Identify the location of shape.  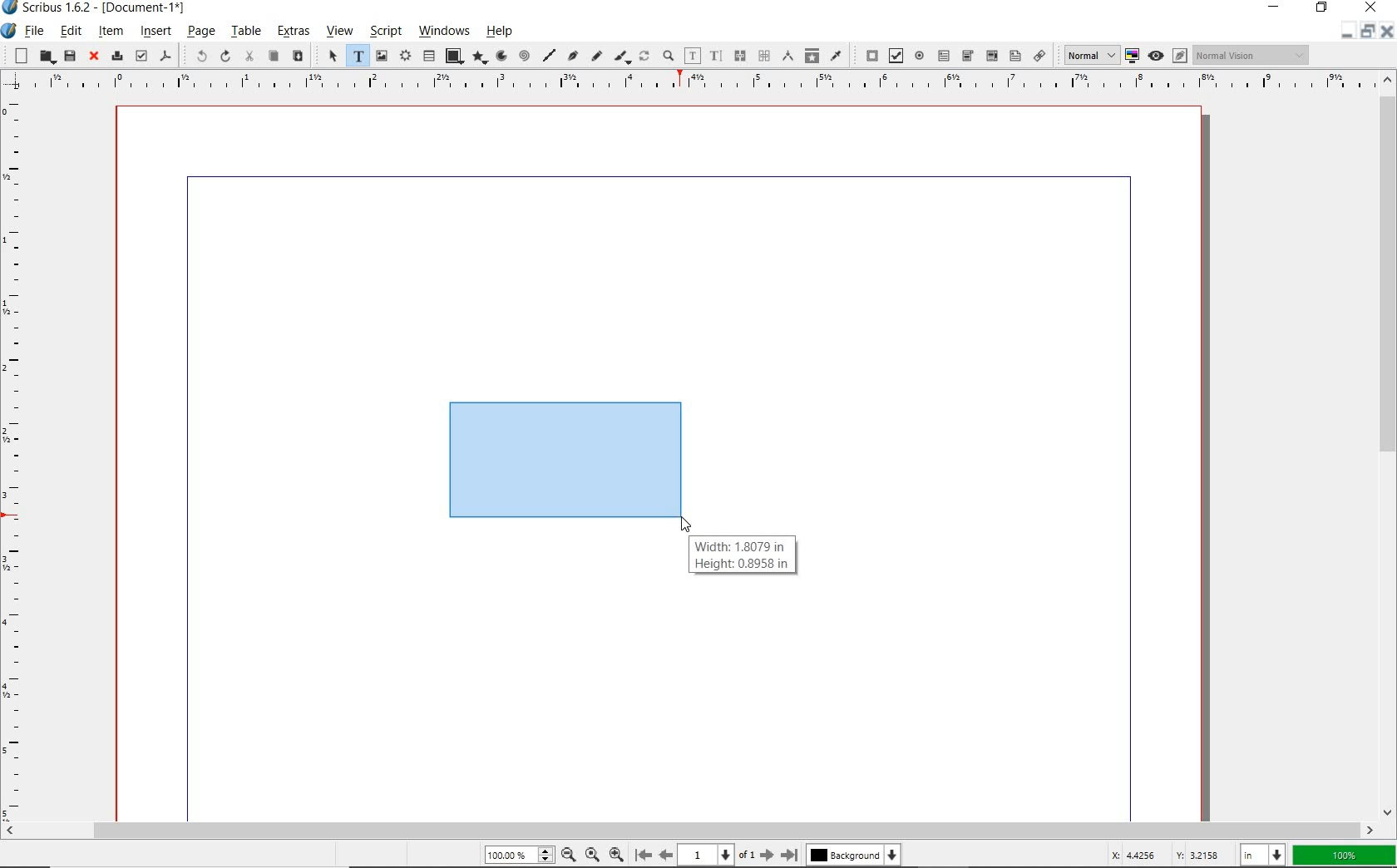
(453, 55).